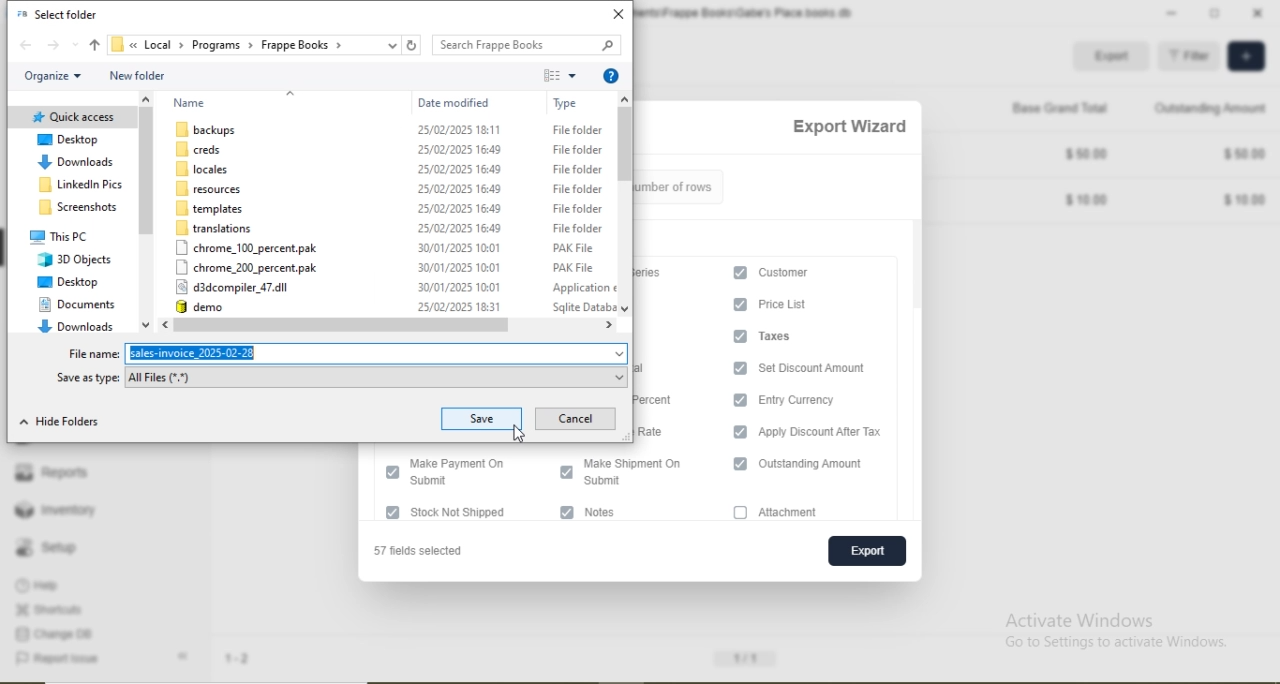 The width and height of the screenshot is (1280, 684). Describe the element at coordinates (58, 634) in the screenshot. I see `Change DB` at that location.